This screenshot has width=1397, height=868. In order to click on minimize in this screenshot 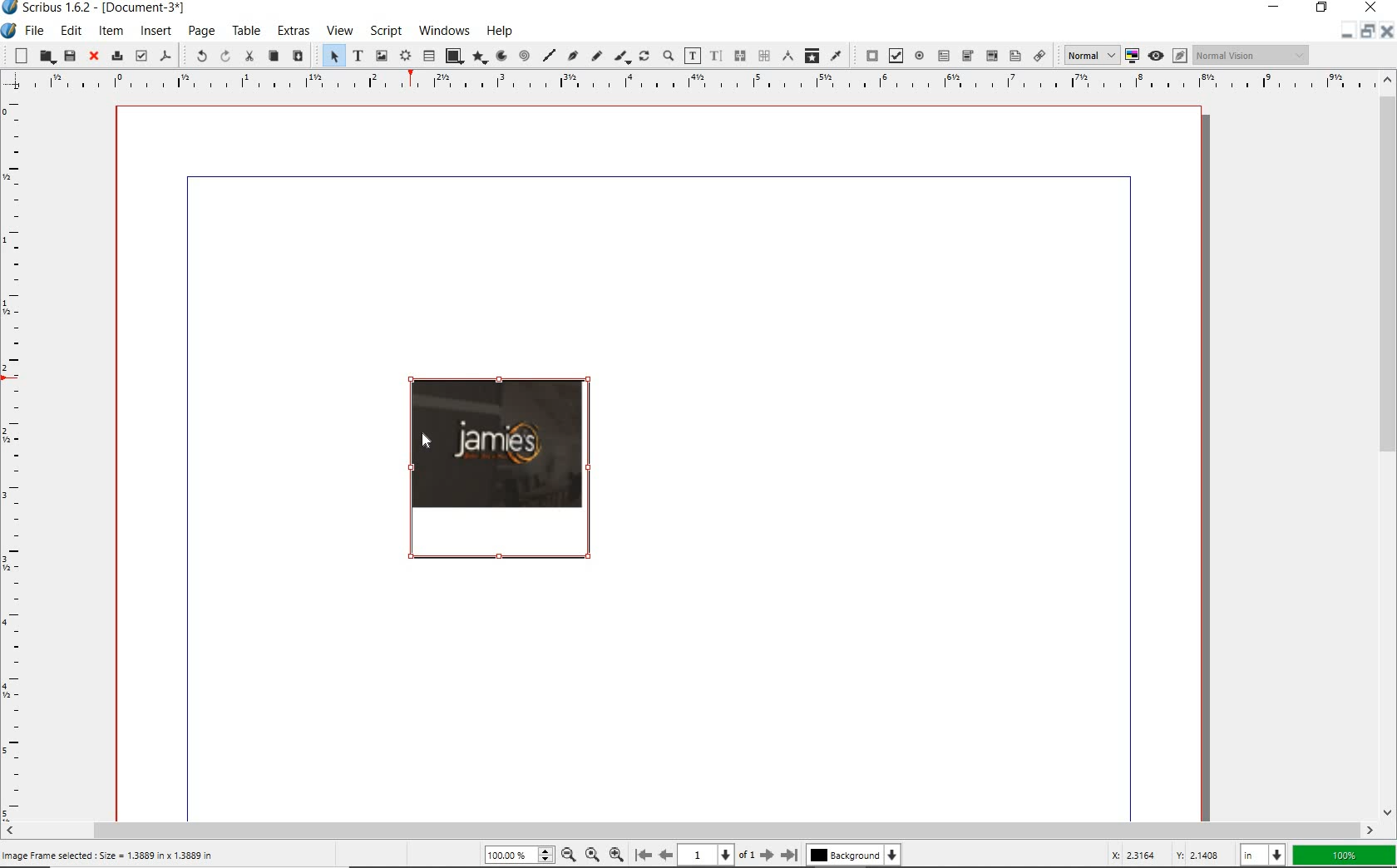, I will do `click(1343, 33)`.